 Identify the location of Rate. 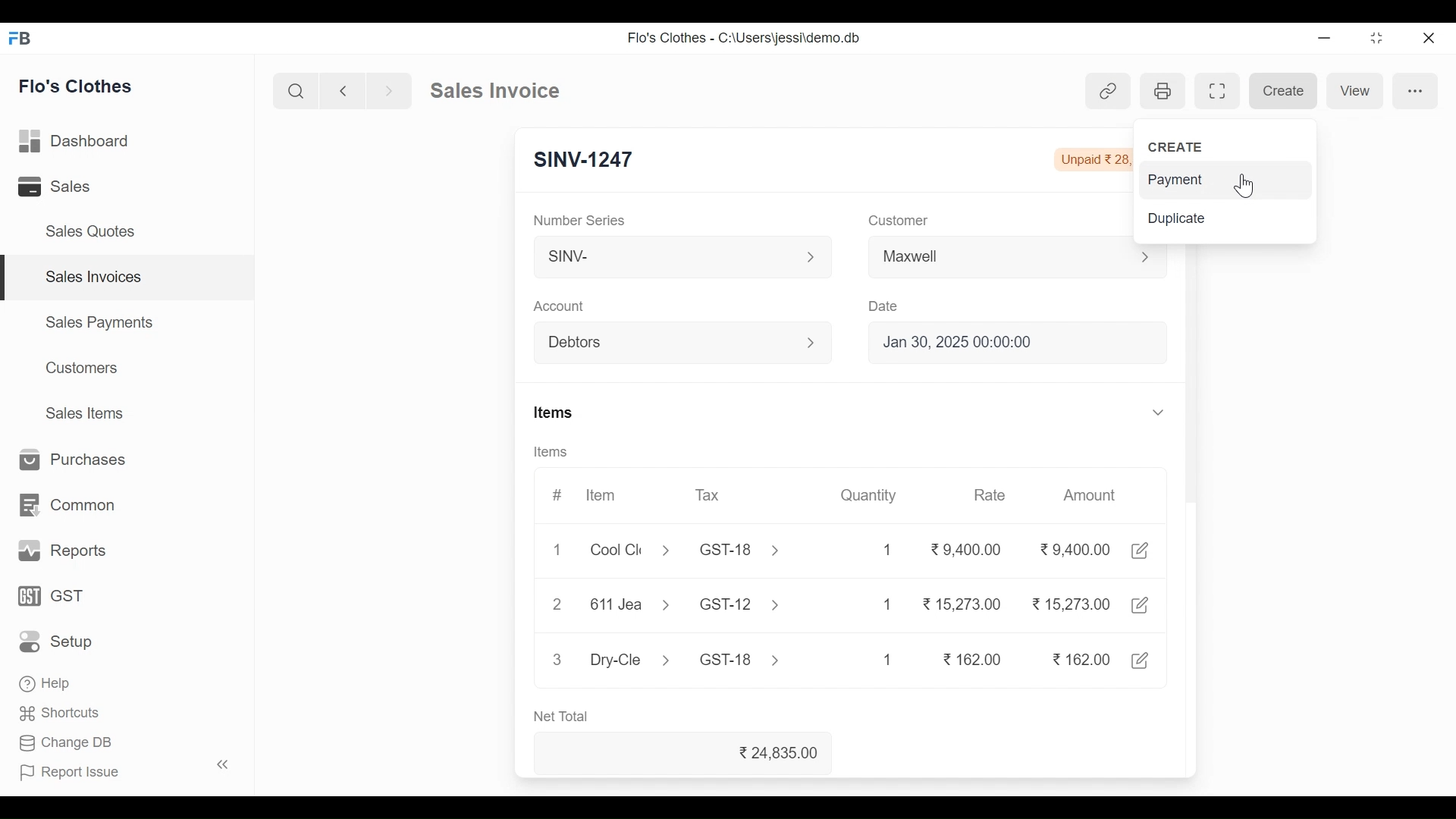
(992, 494).